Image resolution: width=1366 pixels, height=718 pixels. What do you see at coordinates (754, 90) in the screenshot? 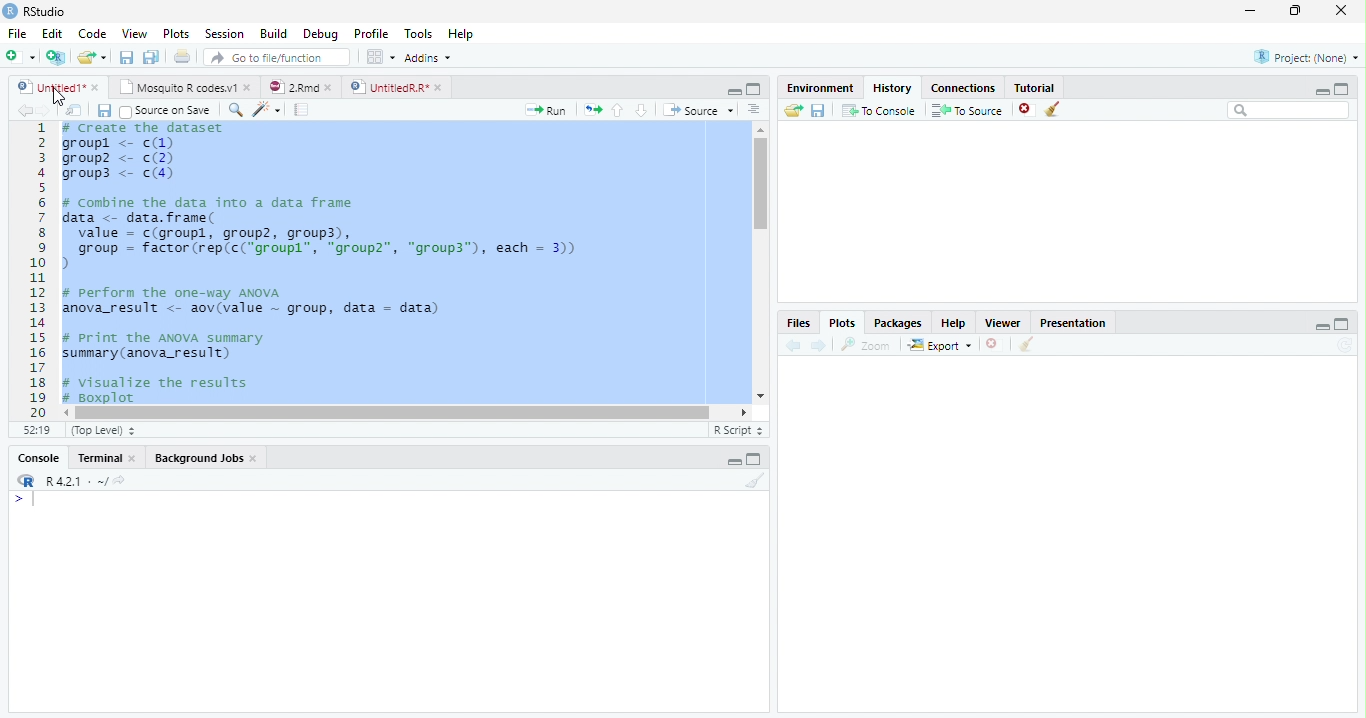
I see `Maximize` at bounding box center [754, 90].